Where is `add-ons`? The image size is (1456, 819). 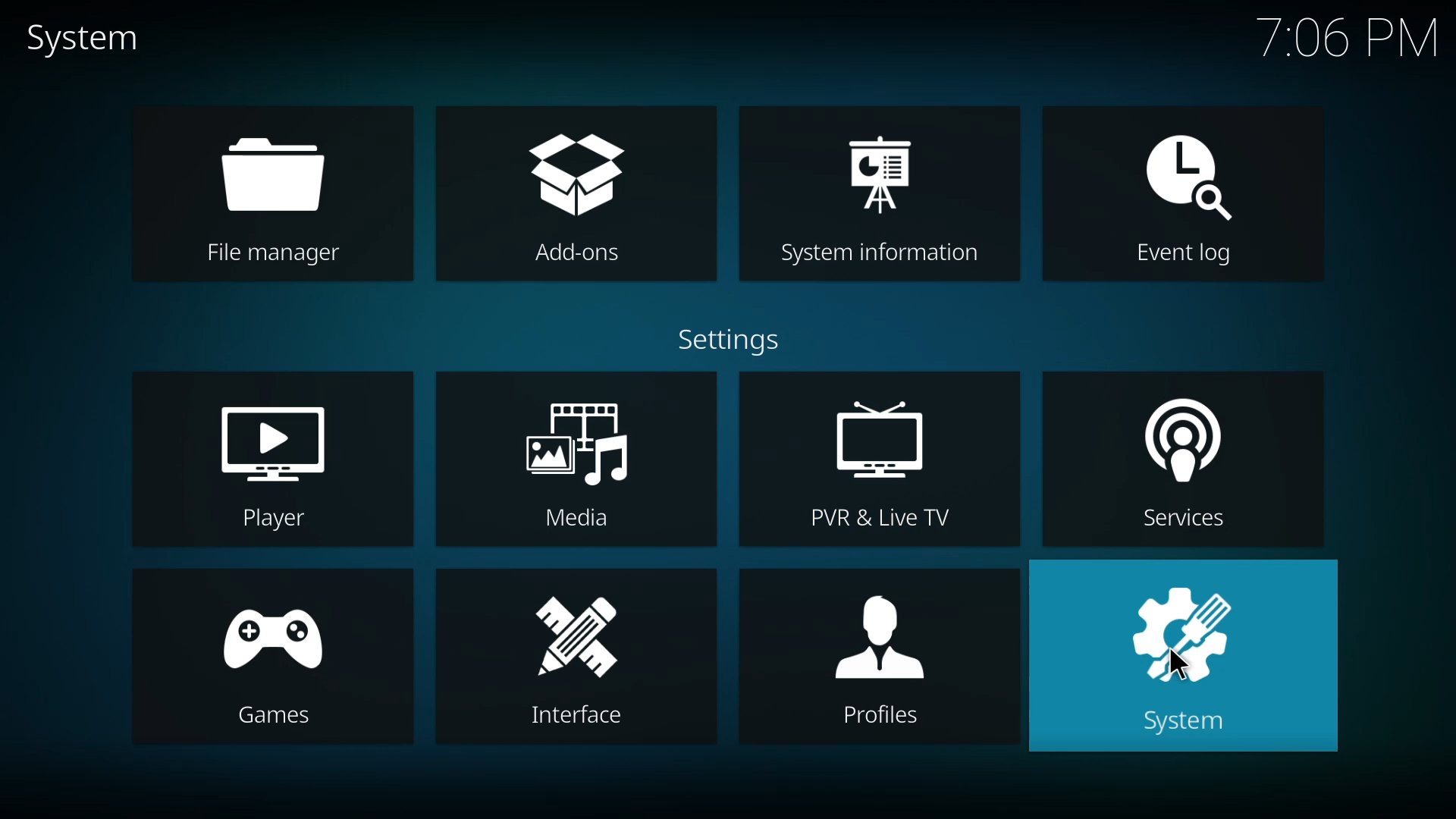 add-ons is located at coordinates (585, 196).